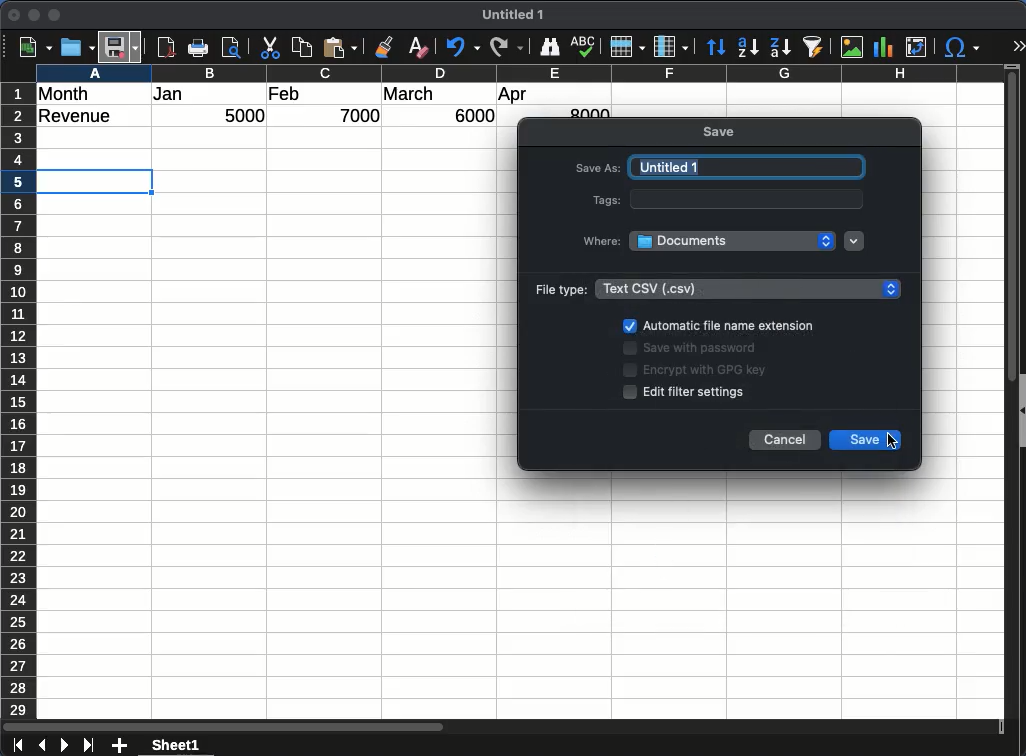 The height and width of the screenshot is (756, 1026). Describe the element at coordinates (627, 47) in the screenshot. I see `row` at that location.